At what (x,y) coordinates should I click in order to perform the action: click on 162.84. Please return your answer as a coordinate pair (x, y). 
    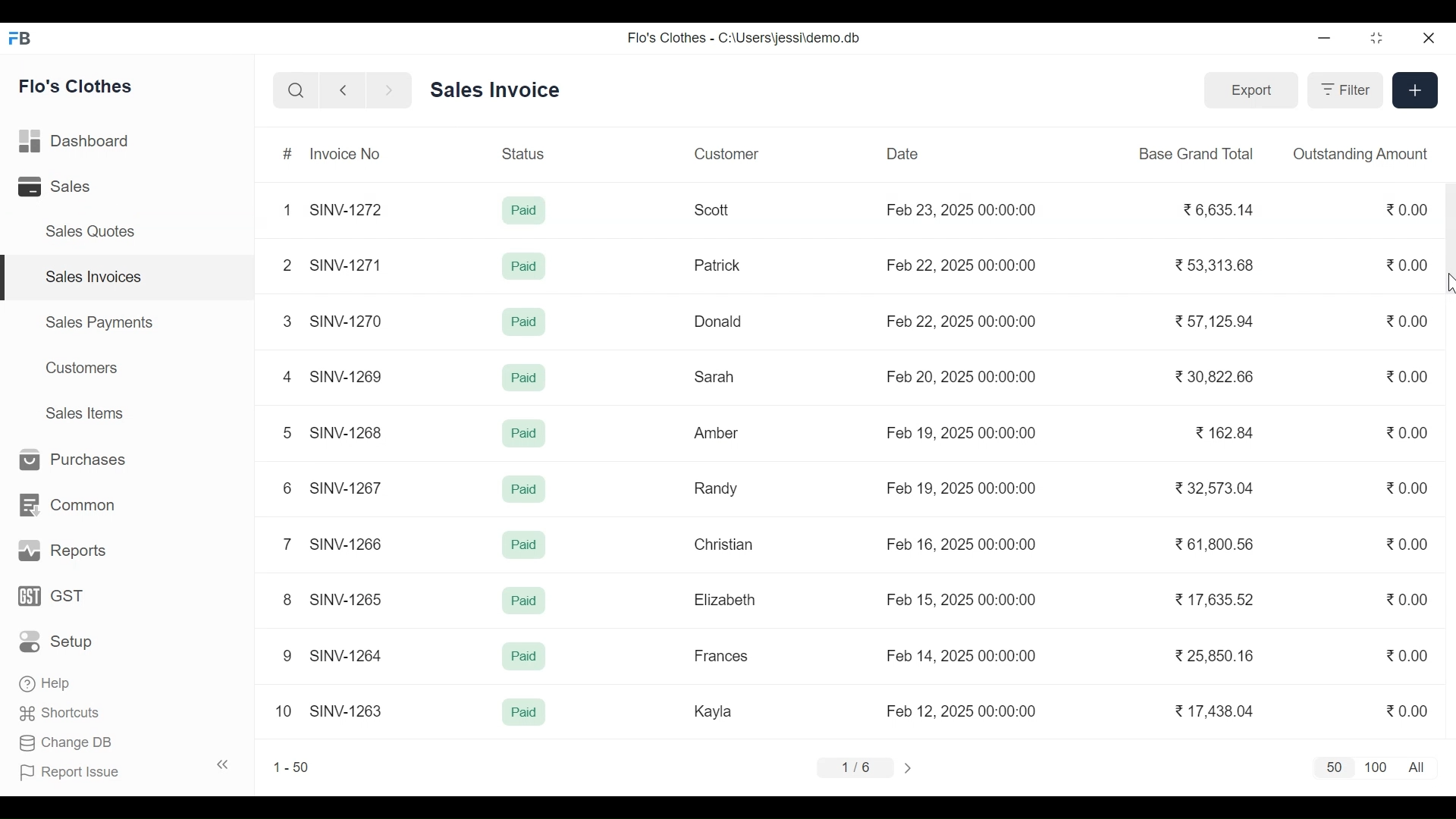
    Looking at the image, I should click on (1224, 432).